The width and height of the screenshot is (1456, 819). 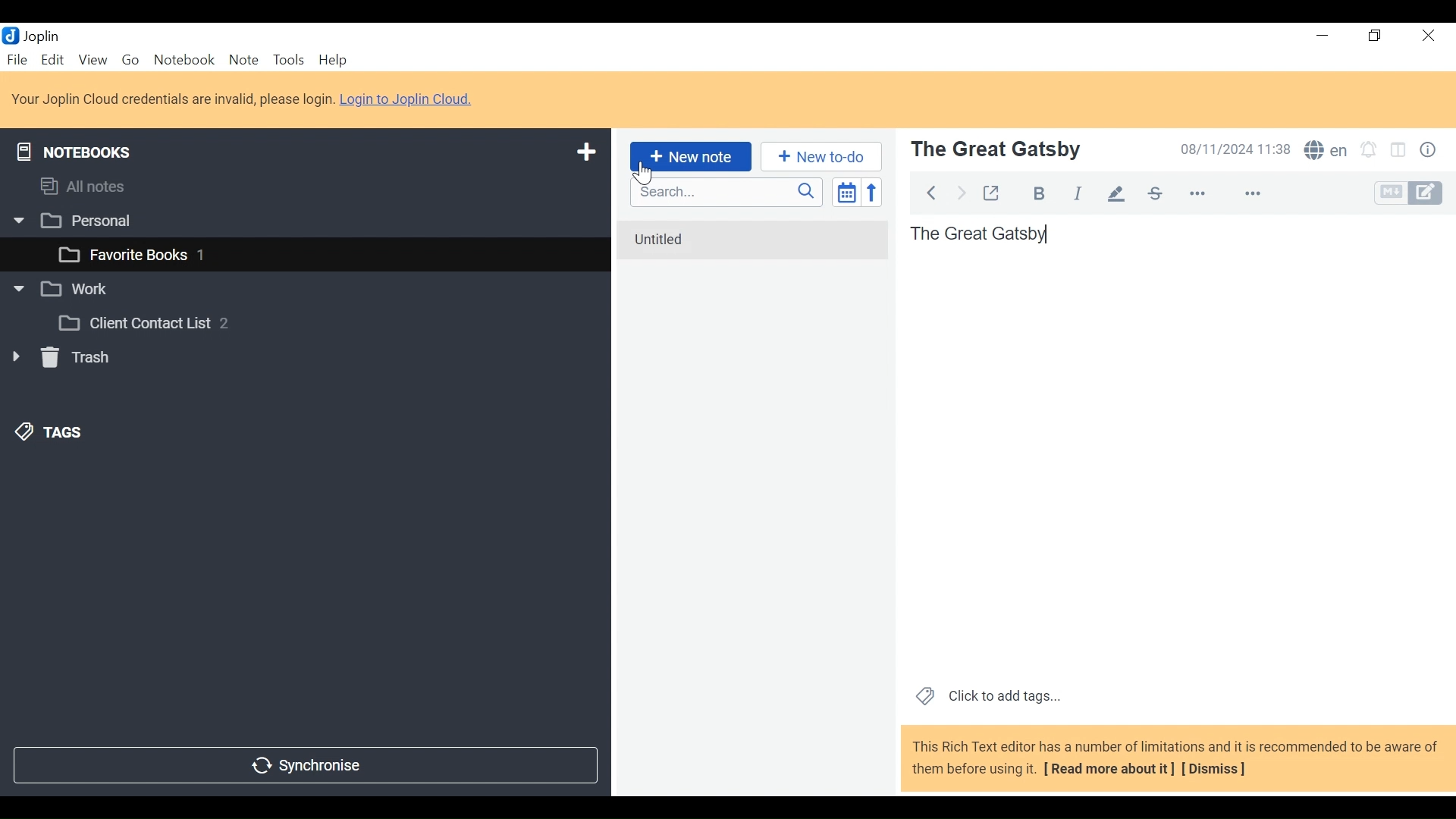 What do you see at coordinates (1413, 193) in the screenshot?
I see `Toggle Editor` at bounding box center [1413, 193].